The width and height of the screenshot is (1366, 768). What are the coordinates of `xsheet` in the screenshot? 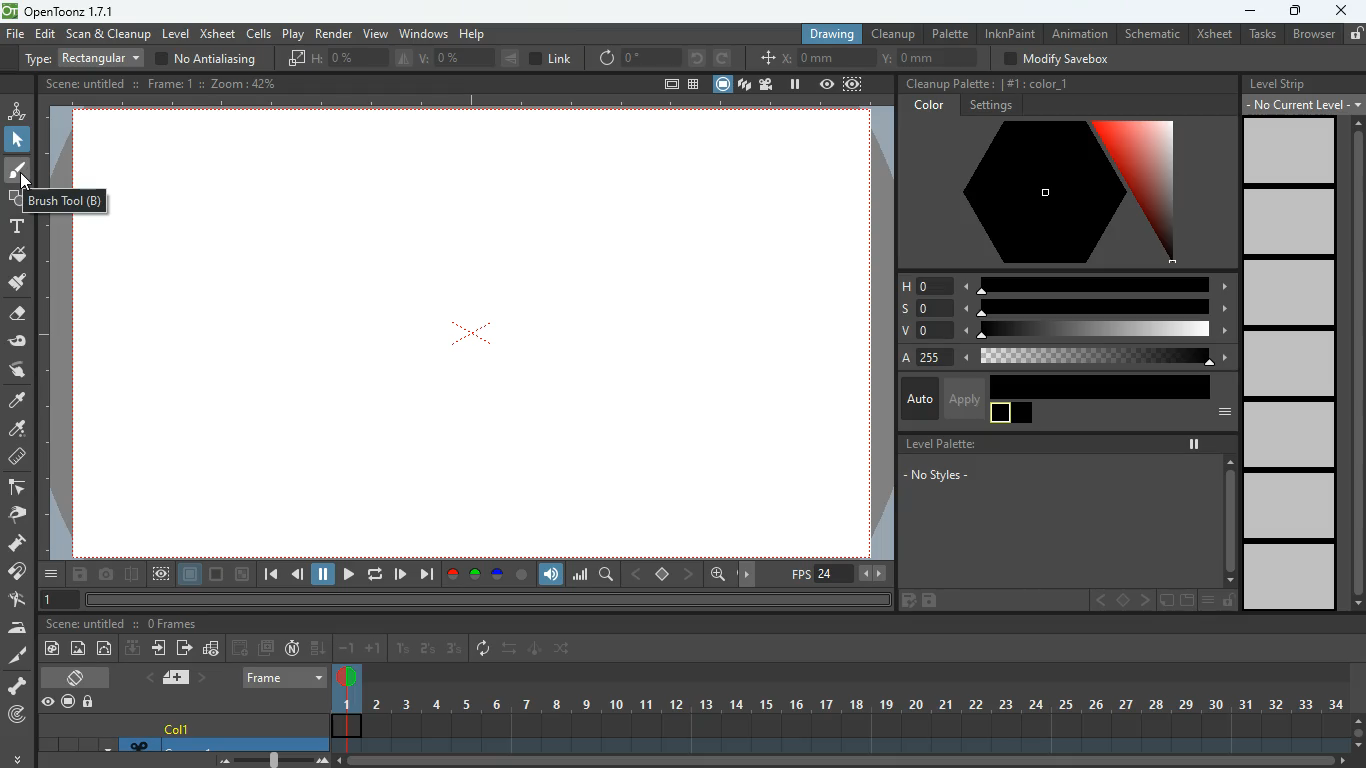 It's located at (1213, 34).